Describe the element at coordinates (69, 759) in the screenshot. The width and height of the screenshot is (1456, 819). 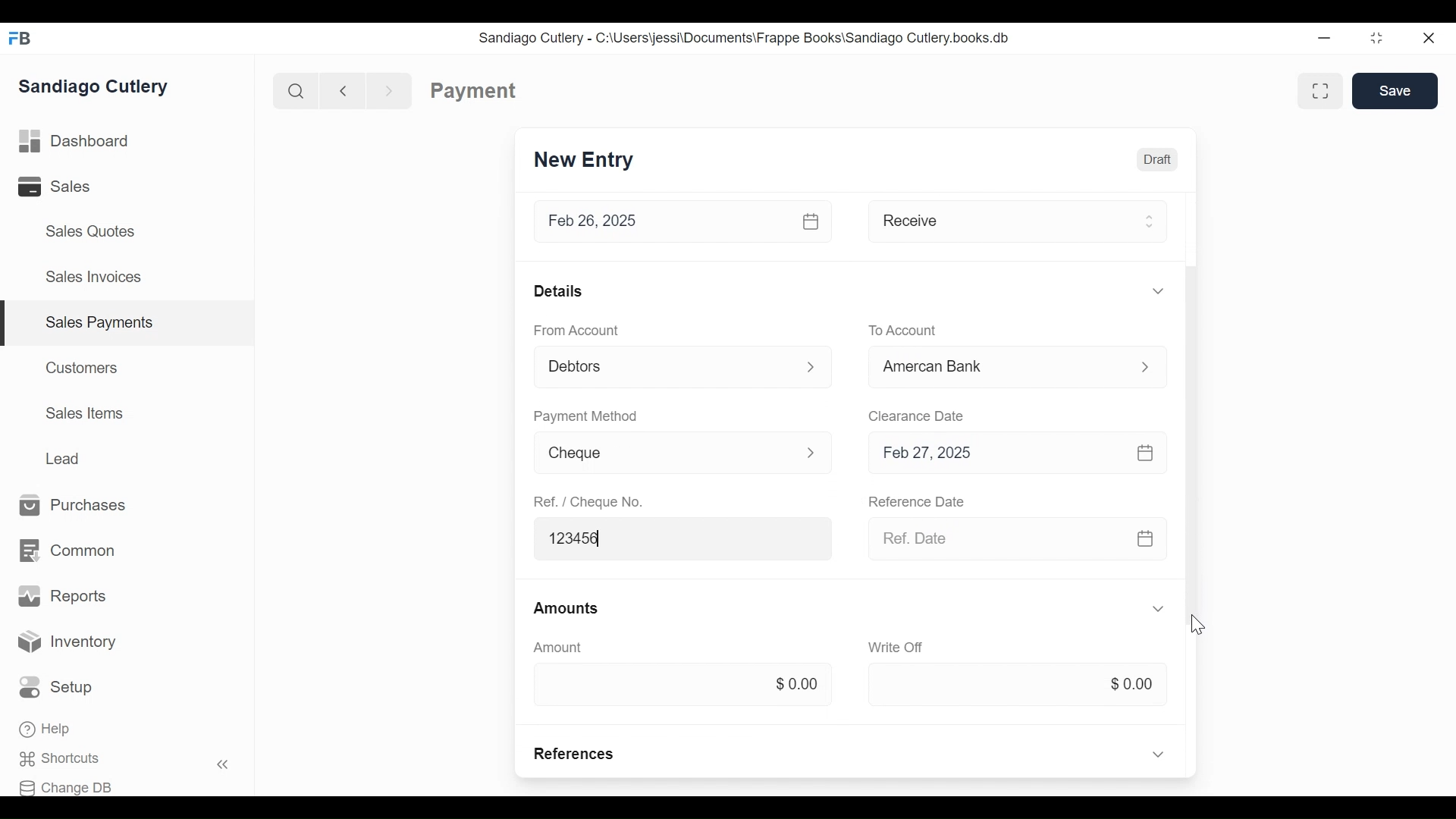
I see `Shortcuts` at that location.